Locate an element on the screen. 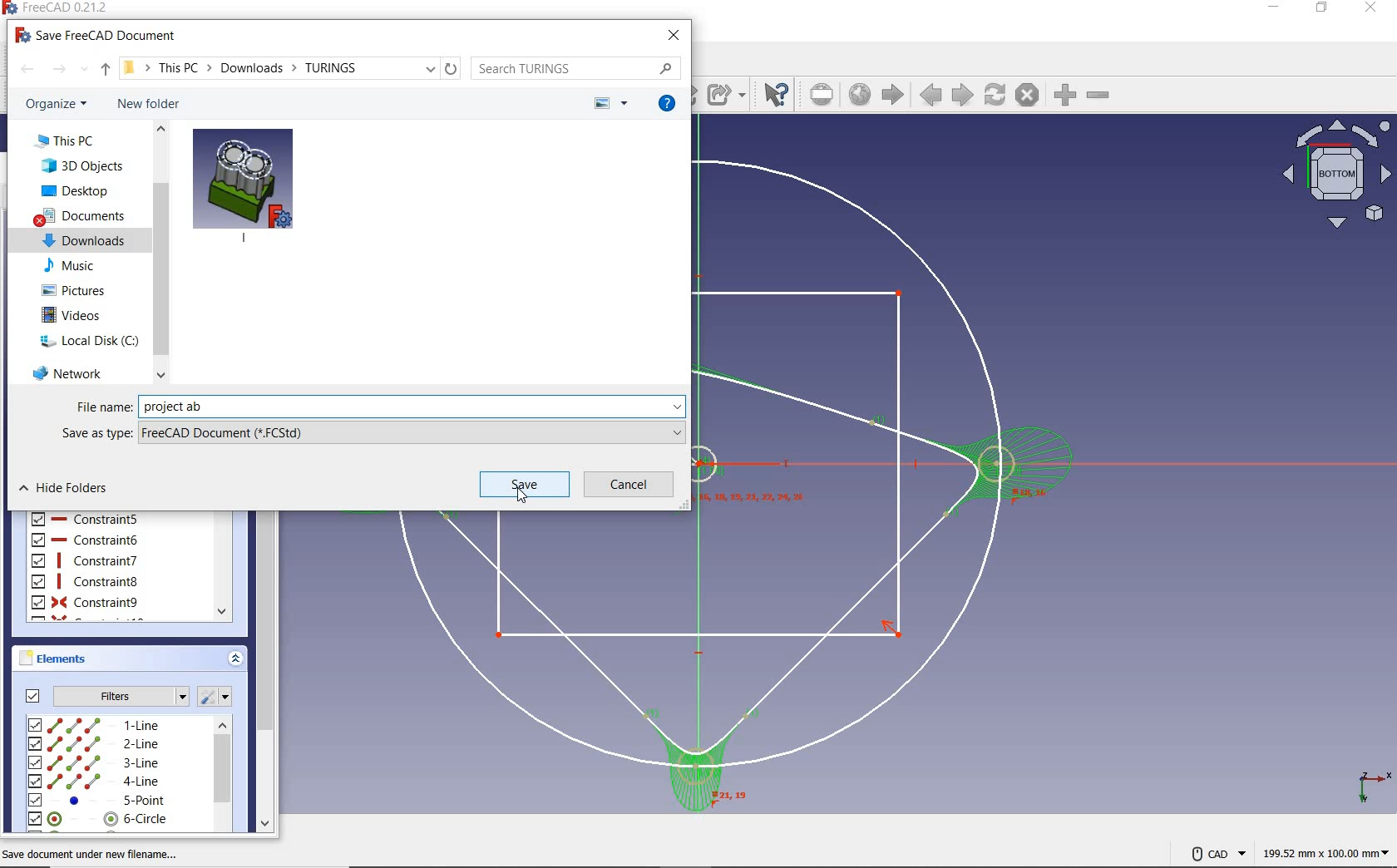 The width and height of the screenshot is (1397, 868). previous page is located at coordinates (931, 97).